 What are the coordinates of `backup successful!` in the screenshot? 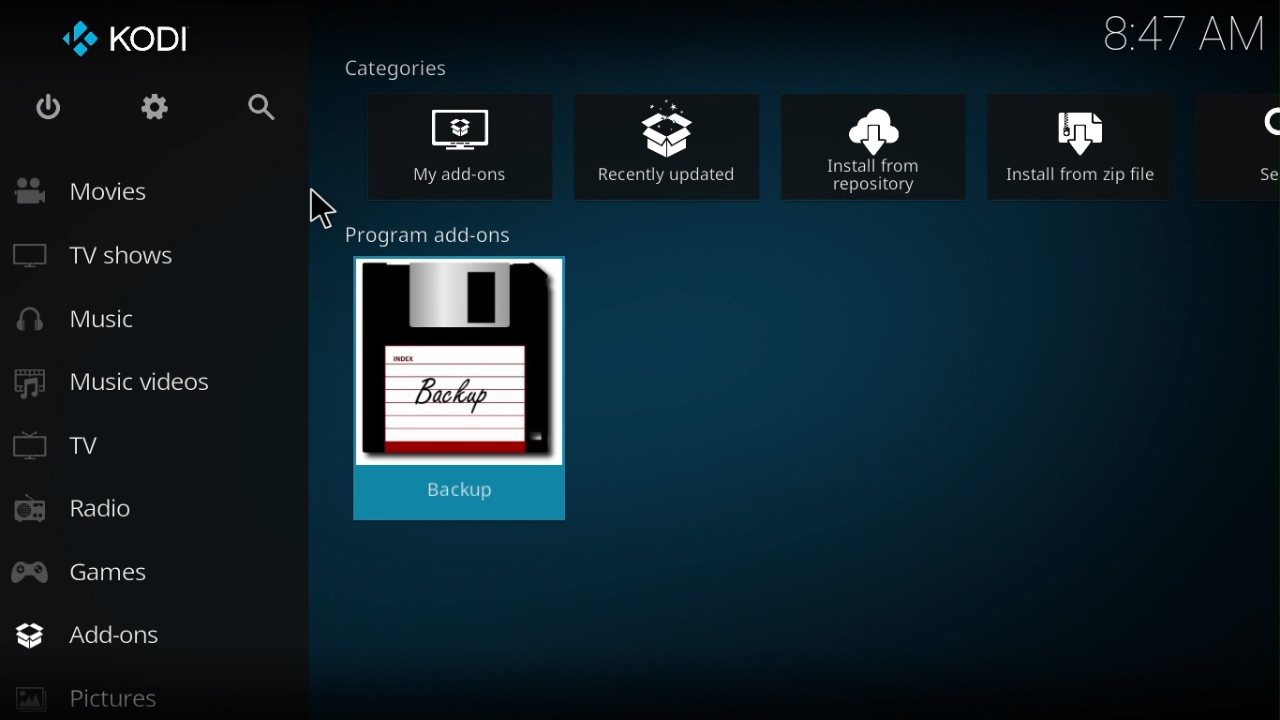 It's located at (464, 379).